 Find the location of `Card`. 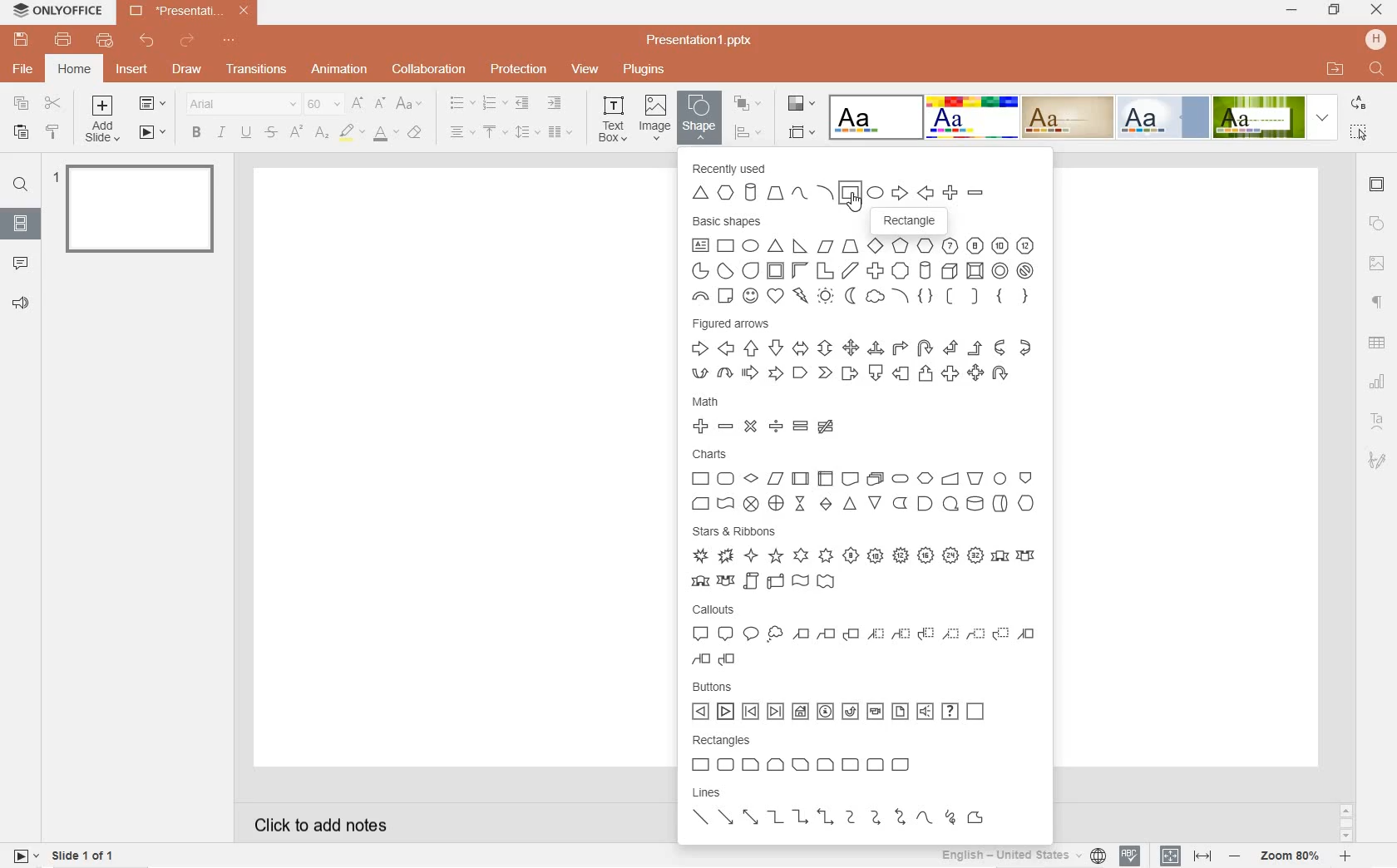

Card is located at coordinates (700, 506).